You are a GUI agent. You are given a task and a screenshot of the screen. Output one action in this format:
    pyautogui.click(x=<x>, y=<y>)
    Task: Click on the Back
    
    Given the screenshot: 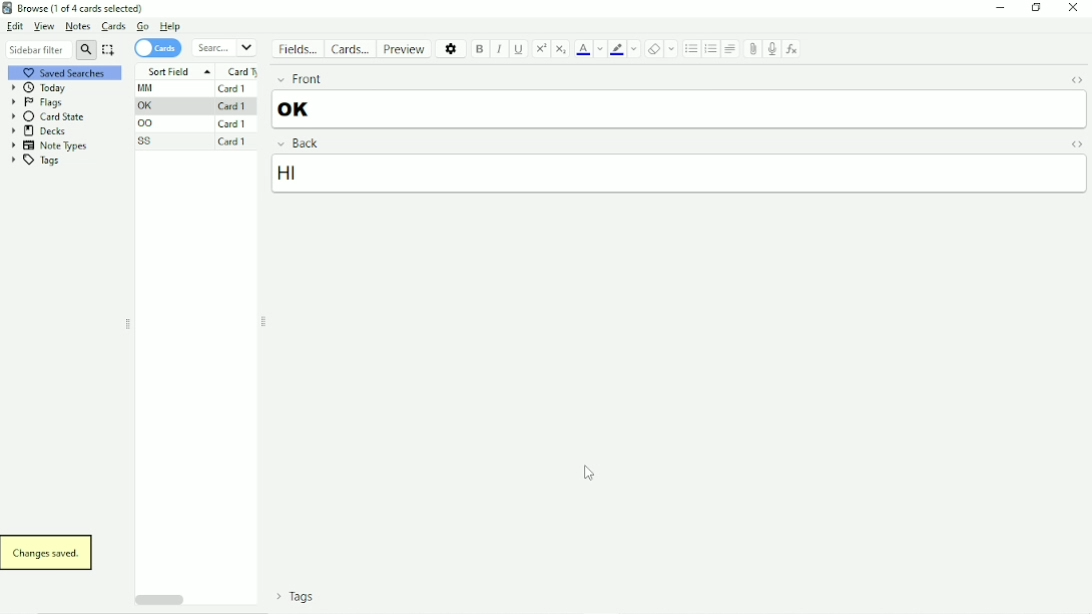 What is the action you would take?
    pyautogui.click(x=295, y=143)
    